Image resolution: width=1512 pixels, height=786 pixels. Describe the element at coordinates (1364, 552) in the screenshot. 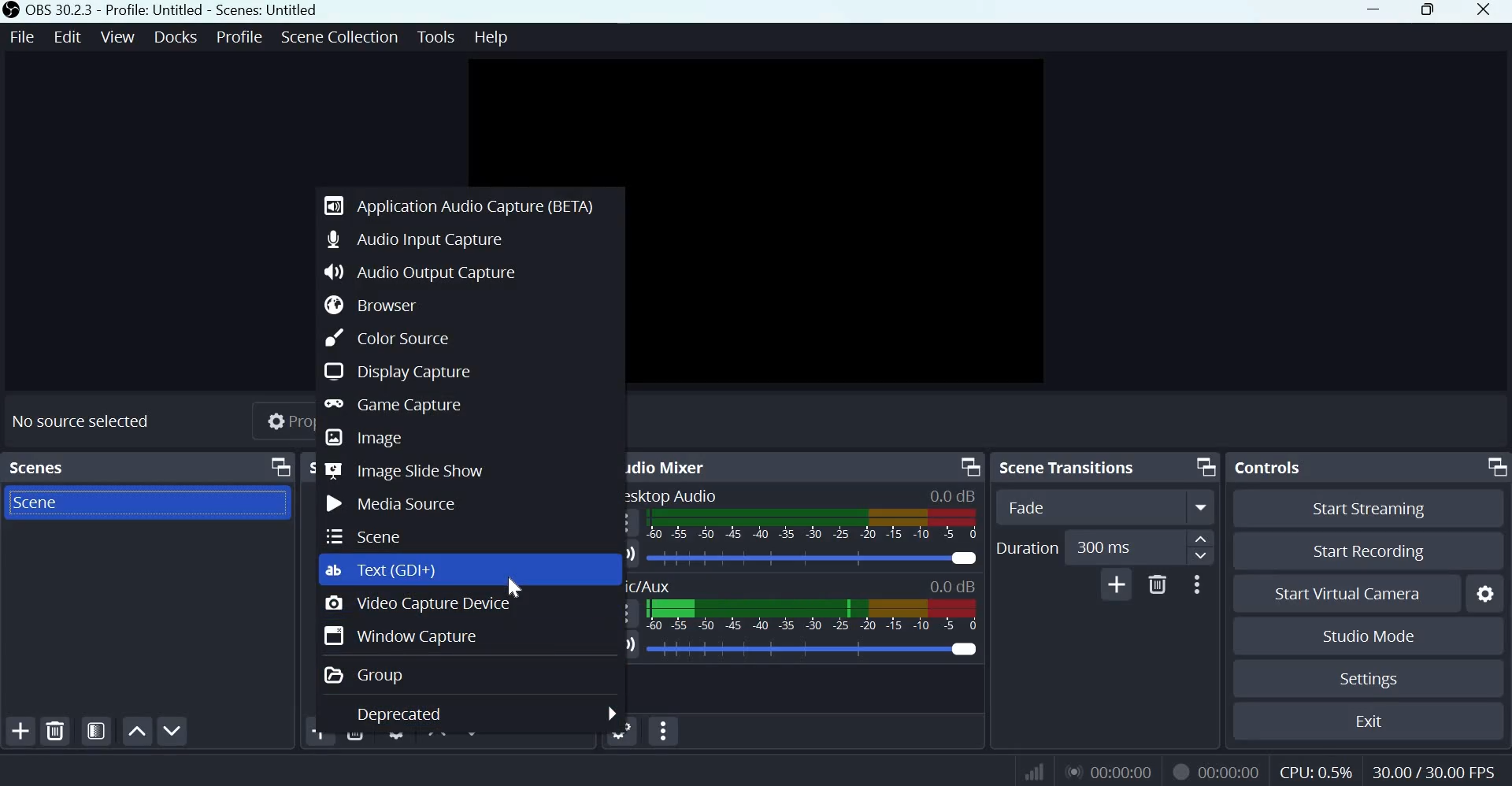

I see `Start recording` at that location.